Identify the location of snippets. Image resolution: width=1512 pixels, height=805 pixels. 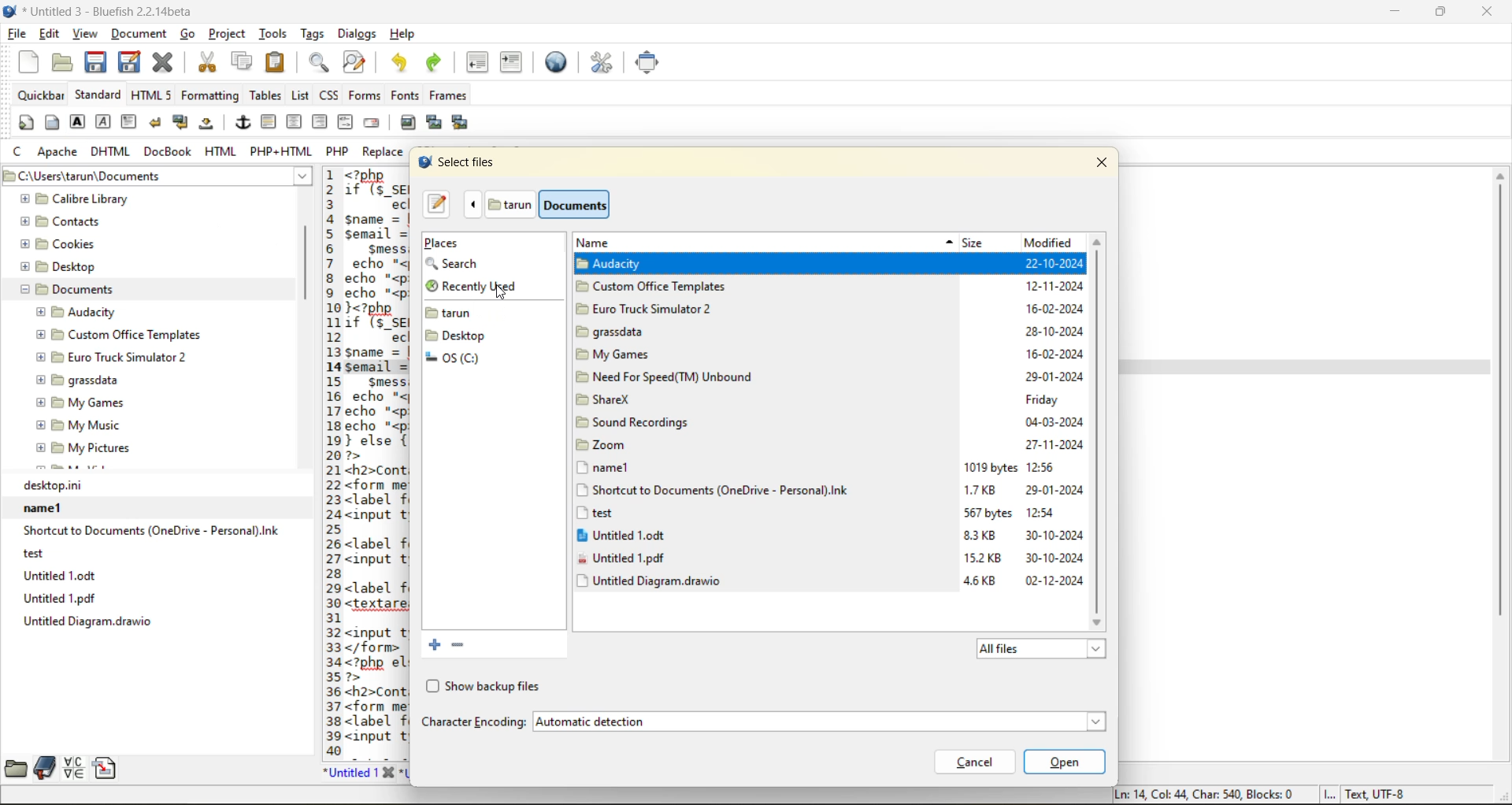
(109, 768).